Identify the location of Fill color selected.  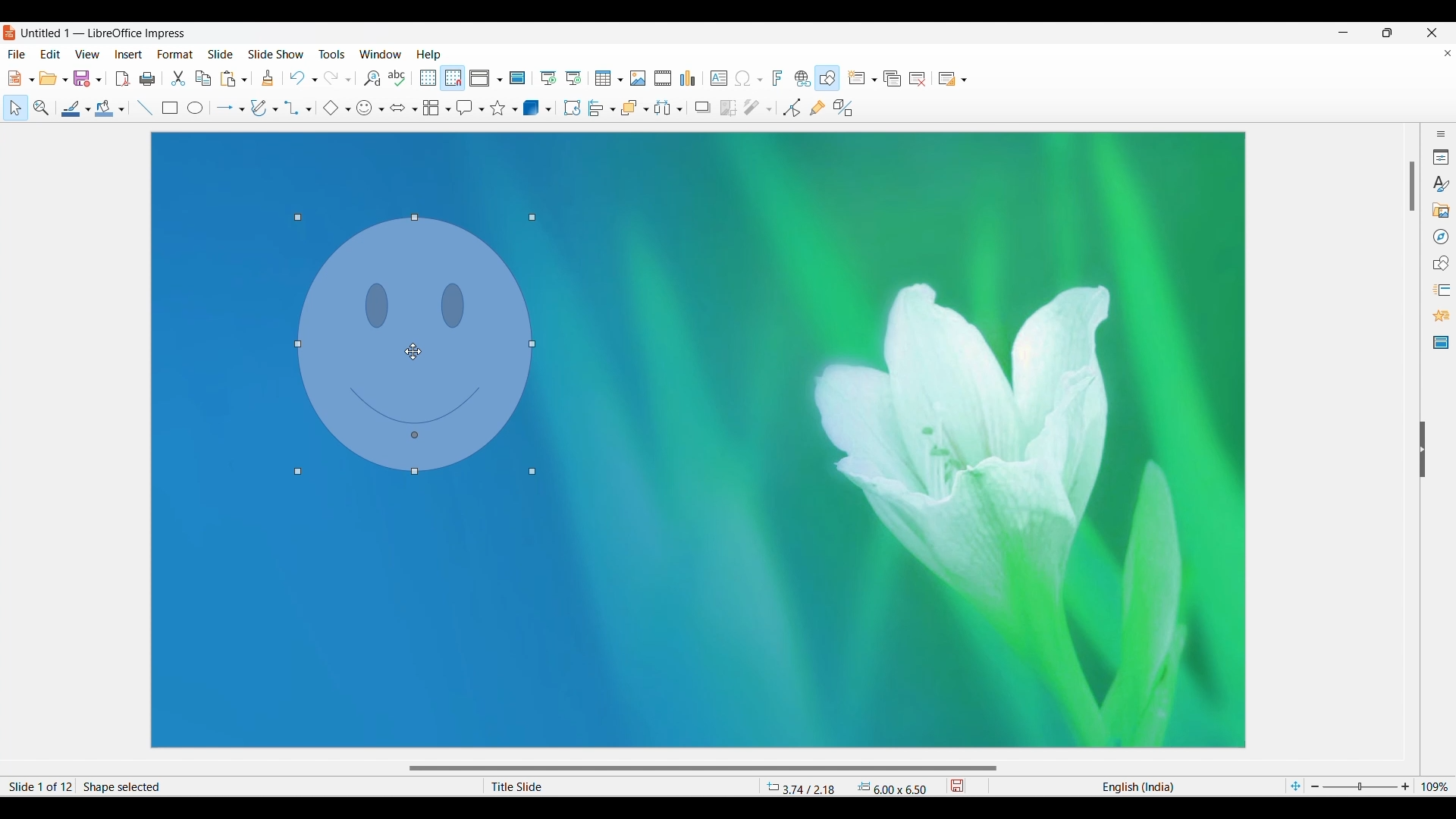
(105, 108).